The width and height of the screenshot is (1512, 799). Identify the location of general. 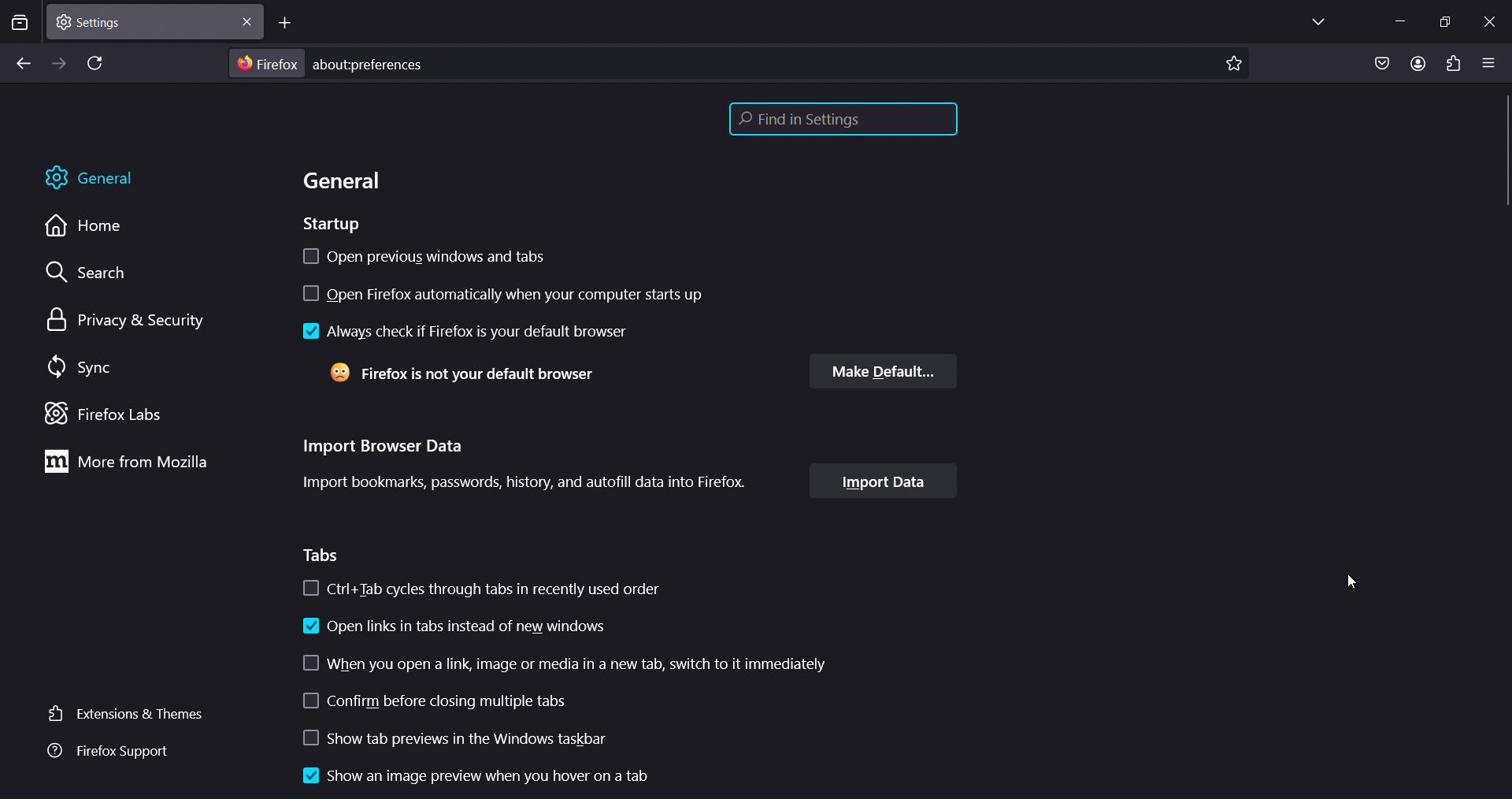
(92, 179).